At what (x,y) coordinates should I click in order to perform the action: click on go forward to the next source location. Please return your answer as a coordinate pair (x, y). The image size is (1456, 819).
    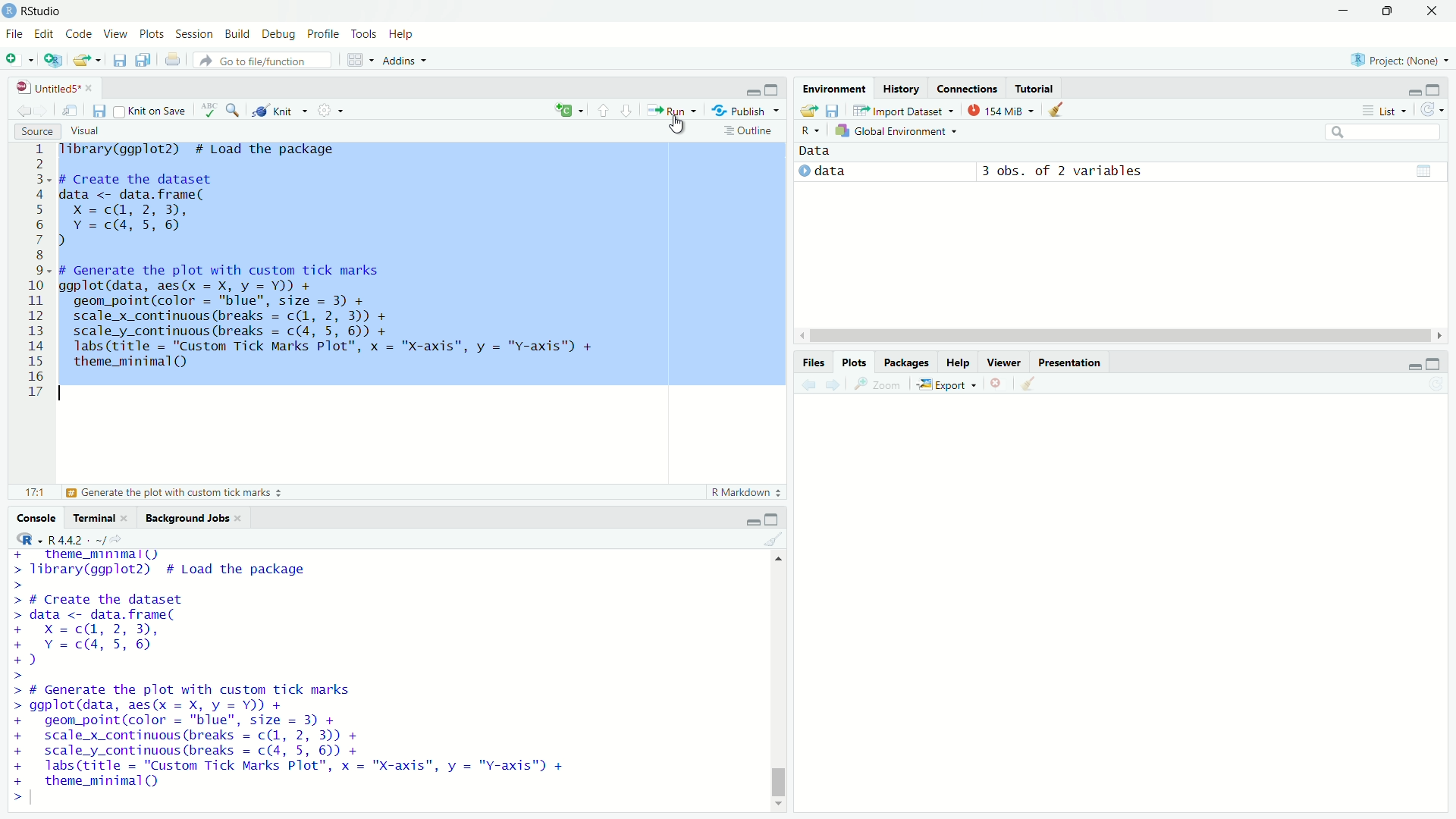
    Looking at the image, I should click on (45, 110).